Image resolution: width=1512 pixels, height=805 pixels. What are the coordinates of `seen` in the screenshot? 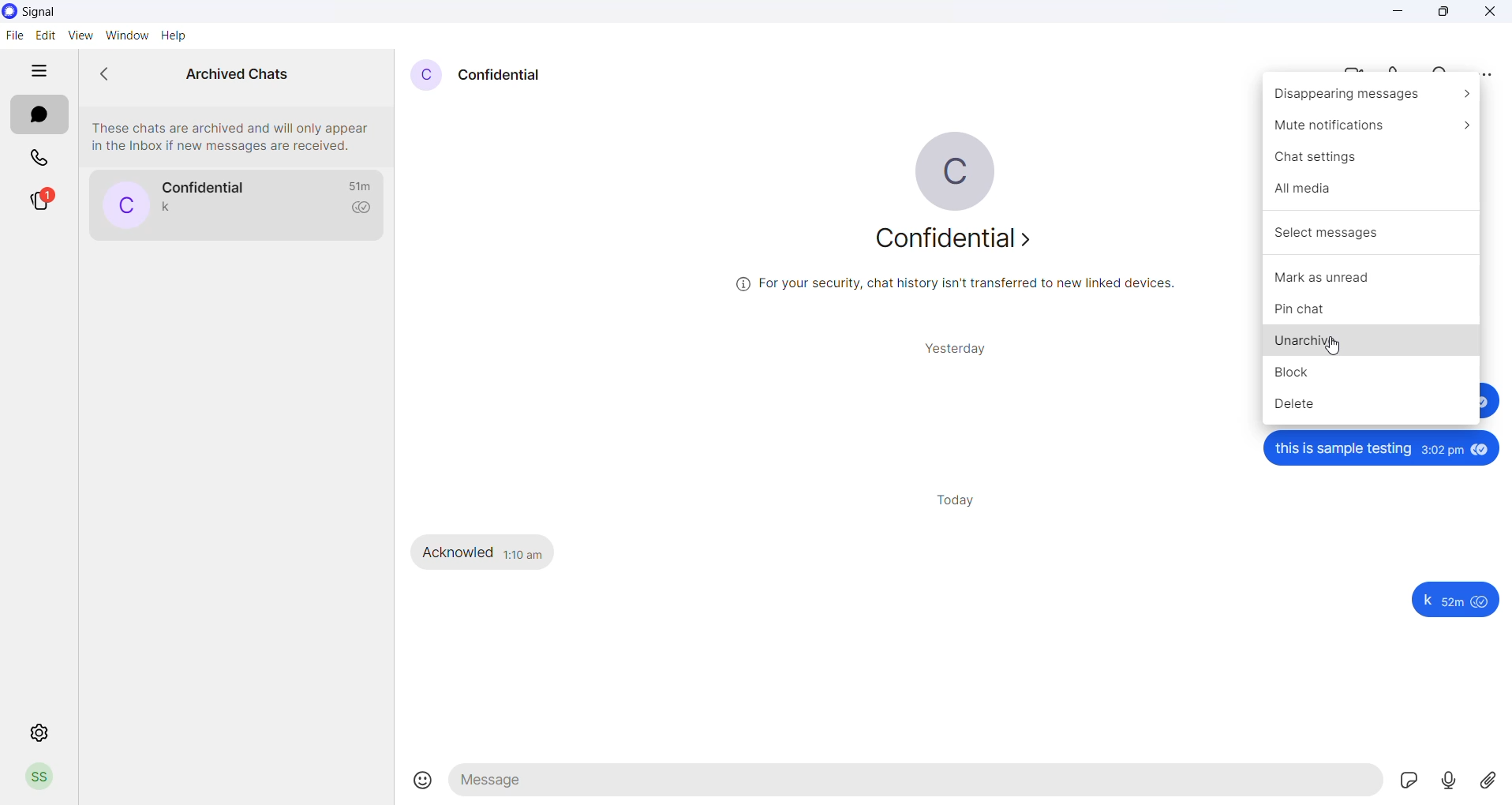 It's located at (1483, 603).